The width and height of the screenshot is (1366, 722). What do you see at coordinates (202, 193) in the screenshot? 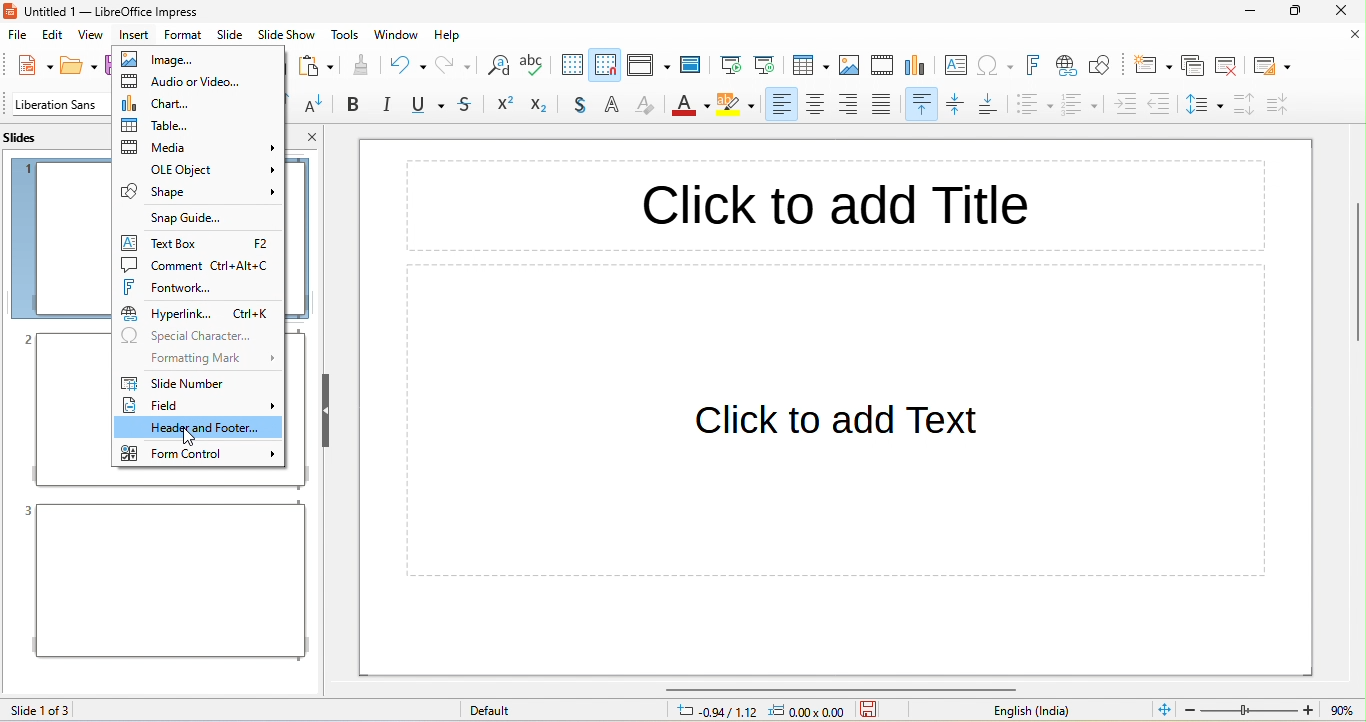
I see `shape` at bounding box center [202, 193].